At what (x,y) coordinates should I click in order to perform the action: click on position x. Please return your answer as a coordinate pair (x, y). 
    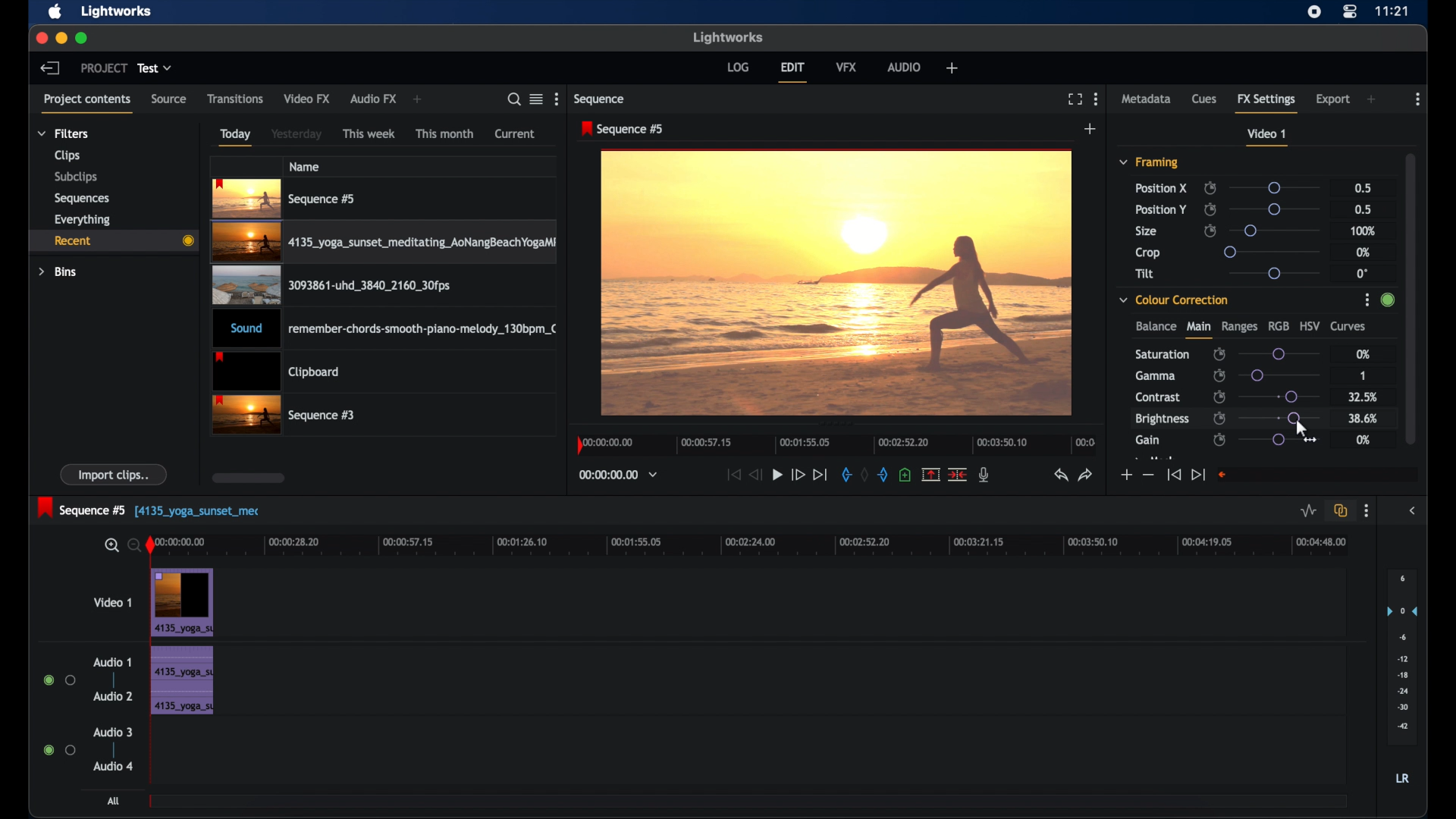
    Looking at the image, I should click on (1161, 188).